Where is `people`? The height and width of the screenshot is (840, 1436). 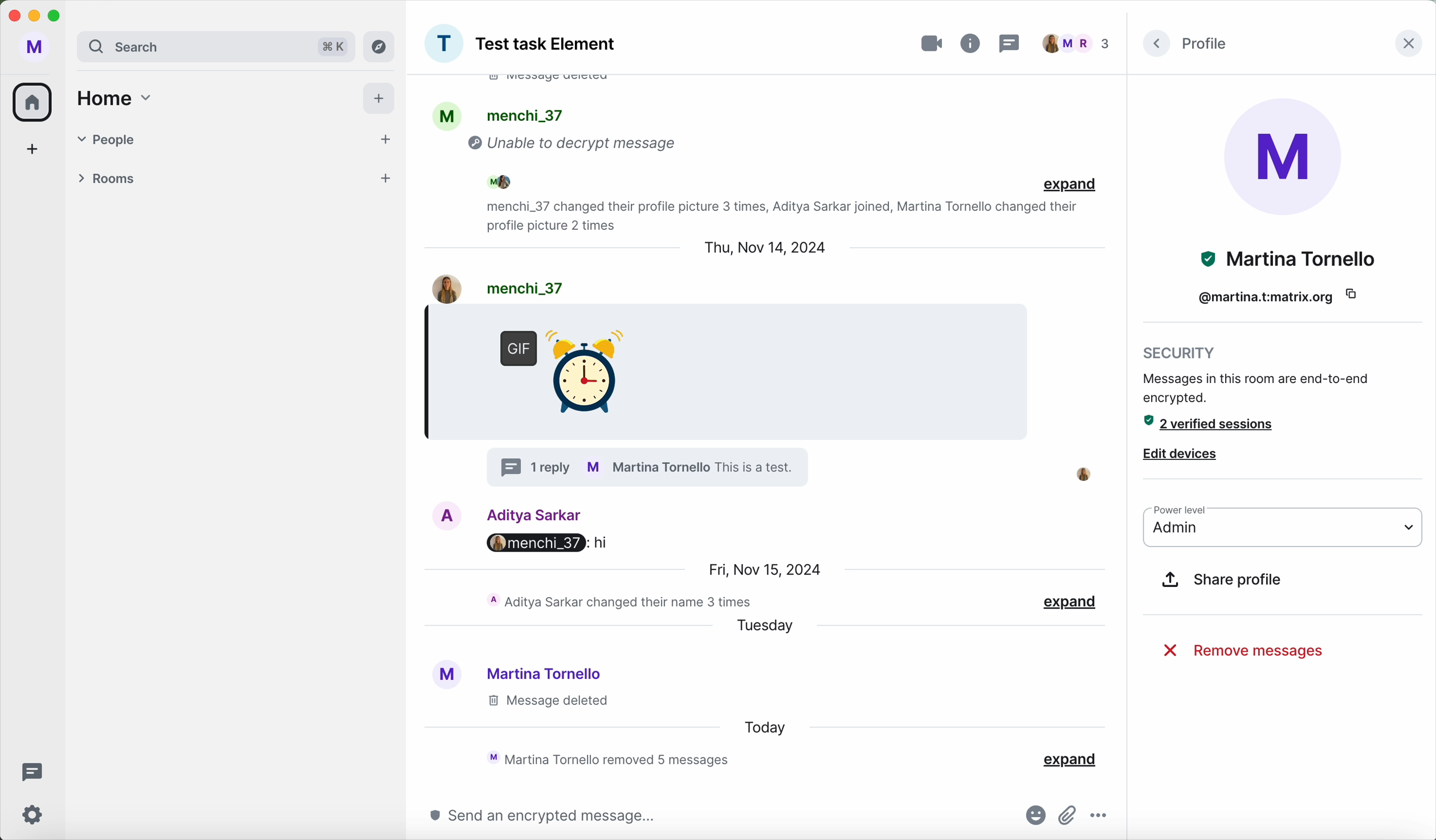 people is located at coordinates (1078, 43).